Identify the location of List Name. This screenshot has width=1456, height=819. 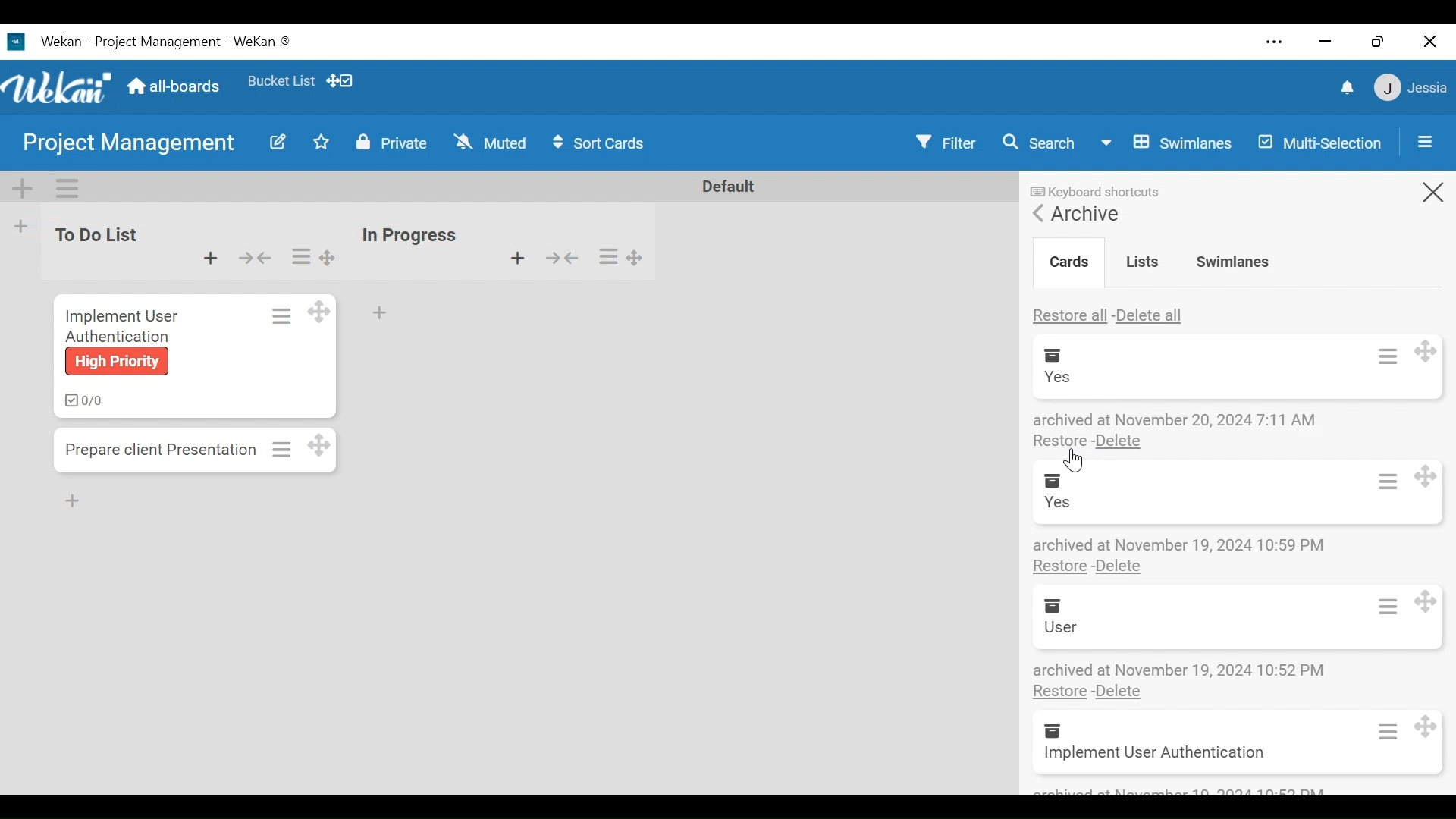
(93, 234).